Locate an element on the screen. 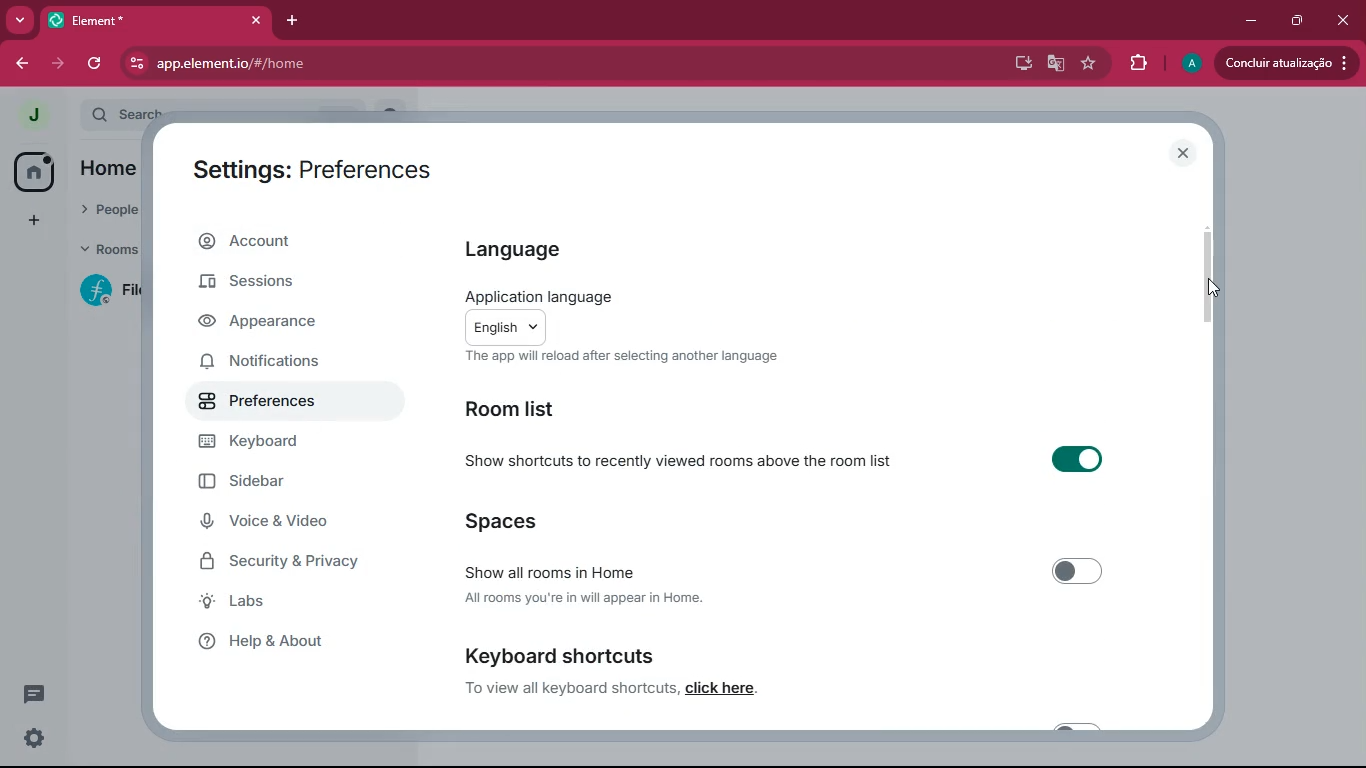  app.element.io/#/home is located at coordinates (328, 64).